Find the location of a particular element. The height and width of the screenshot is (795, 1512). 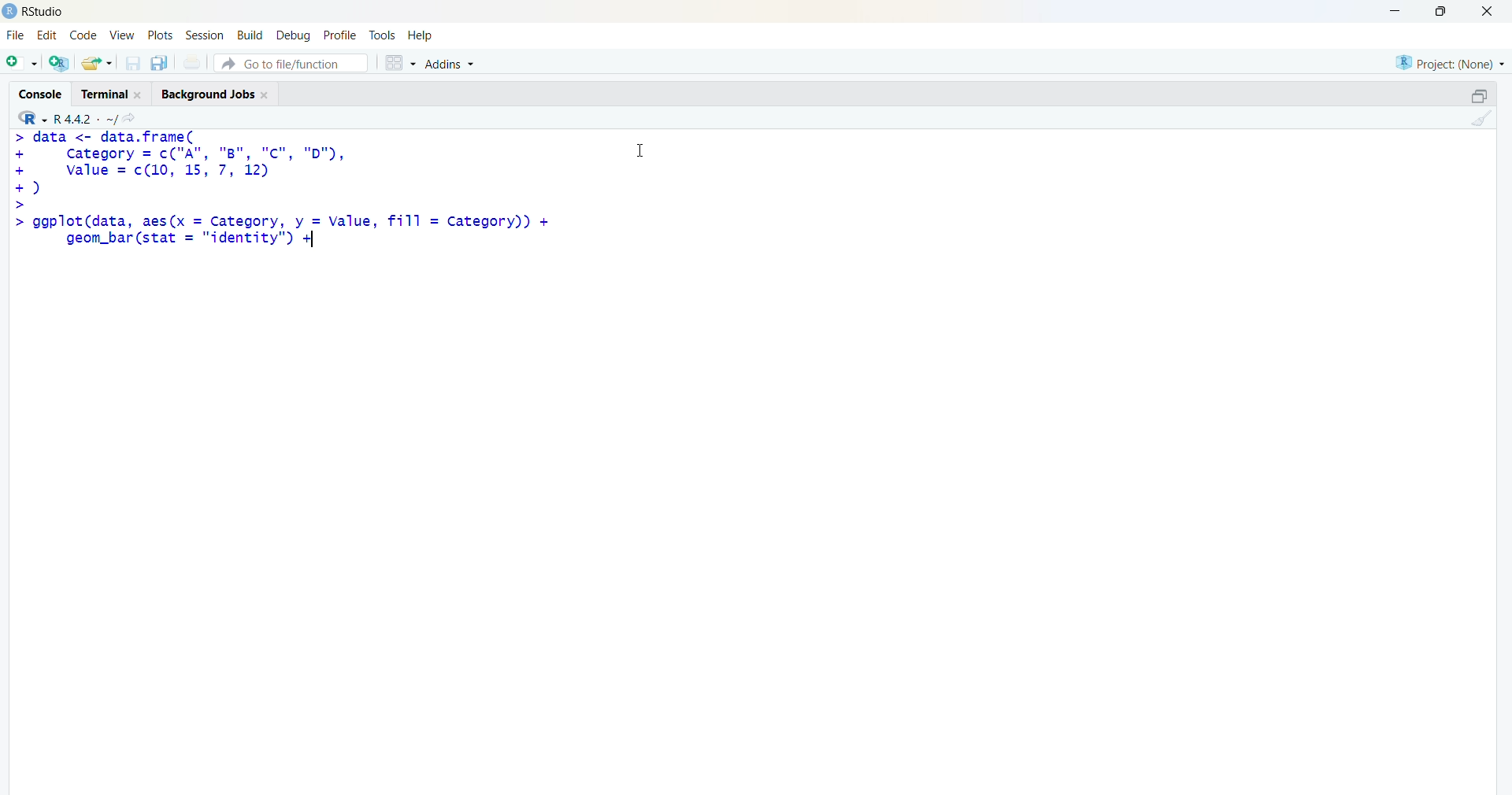

maximize is located at coordinates (1446, 11).